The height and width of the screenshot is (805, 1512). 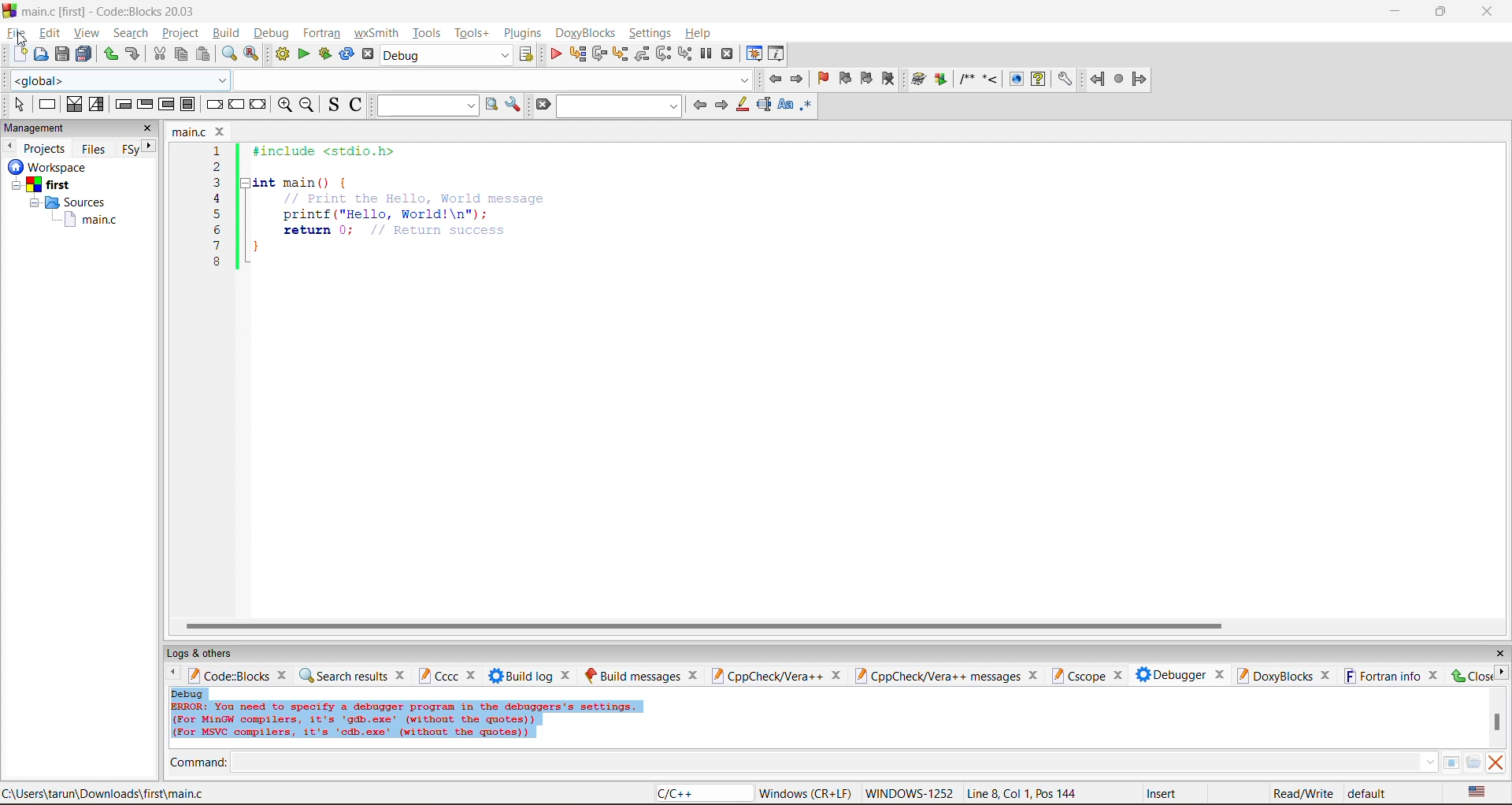 I want to click on code:blocks, so click(x=228, y=675).